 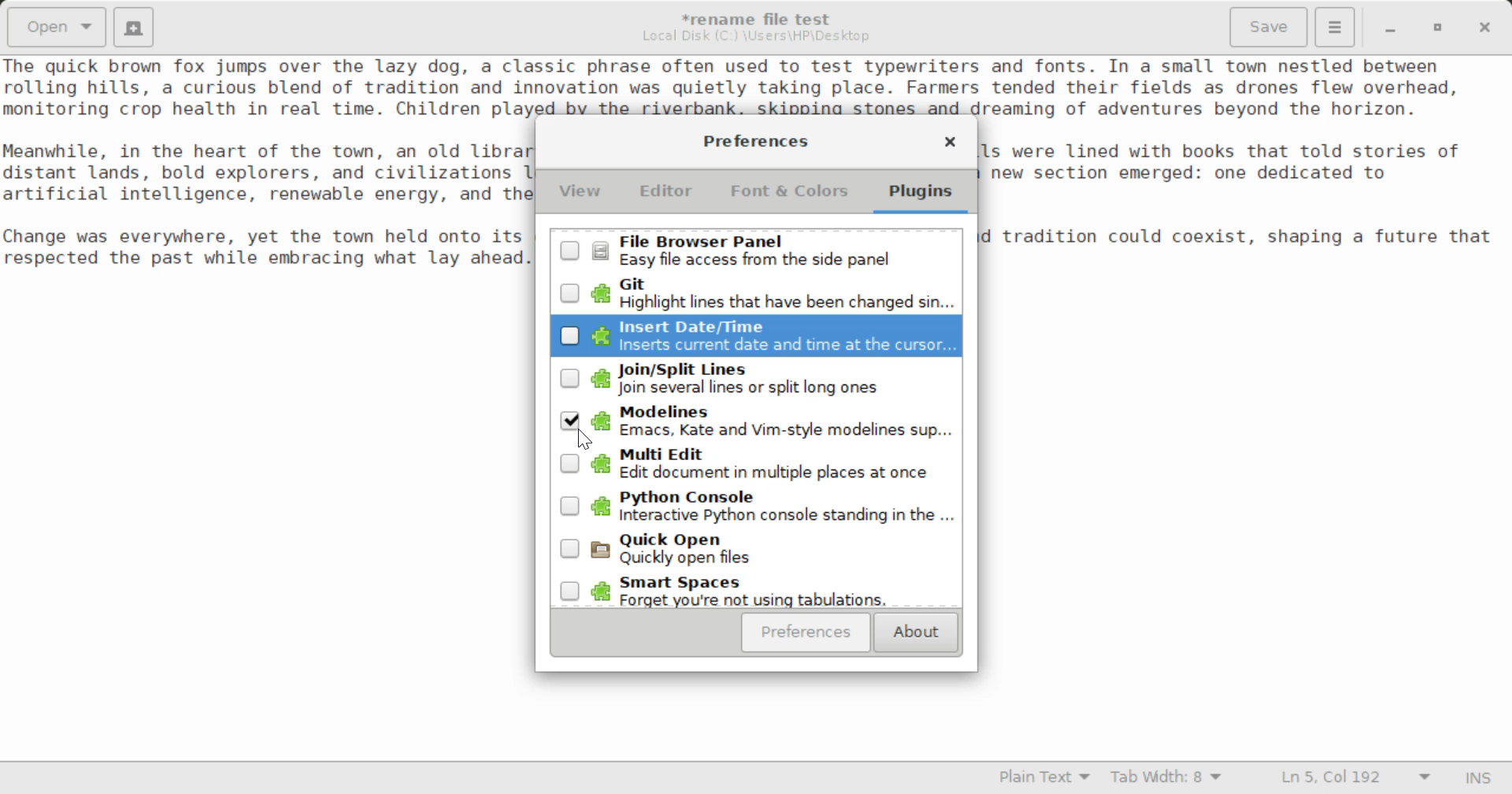 What do you see at coordinates (1438, 28) in the screenshot?
I see `Minimize` at bounding box center [1438, 28].